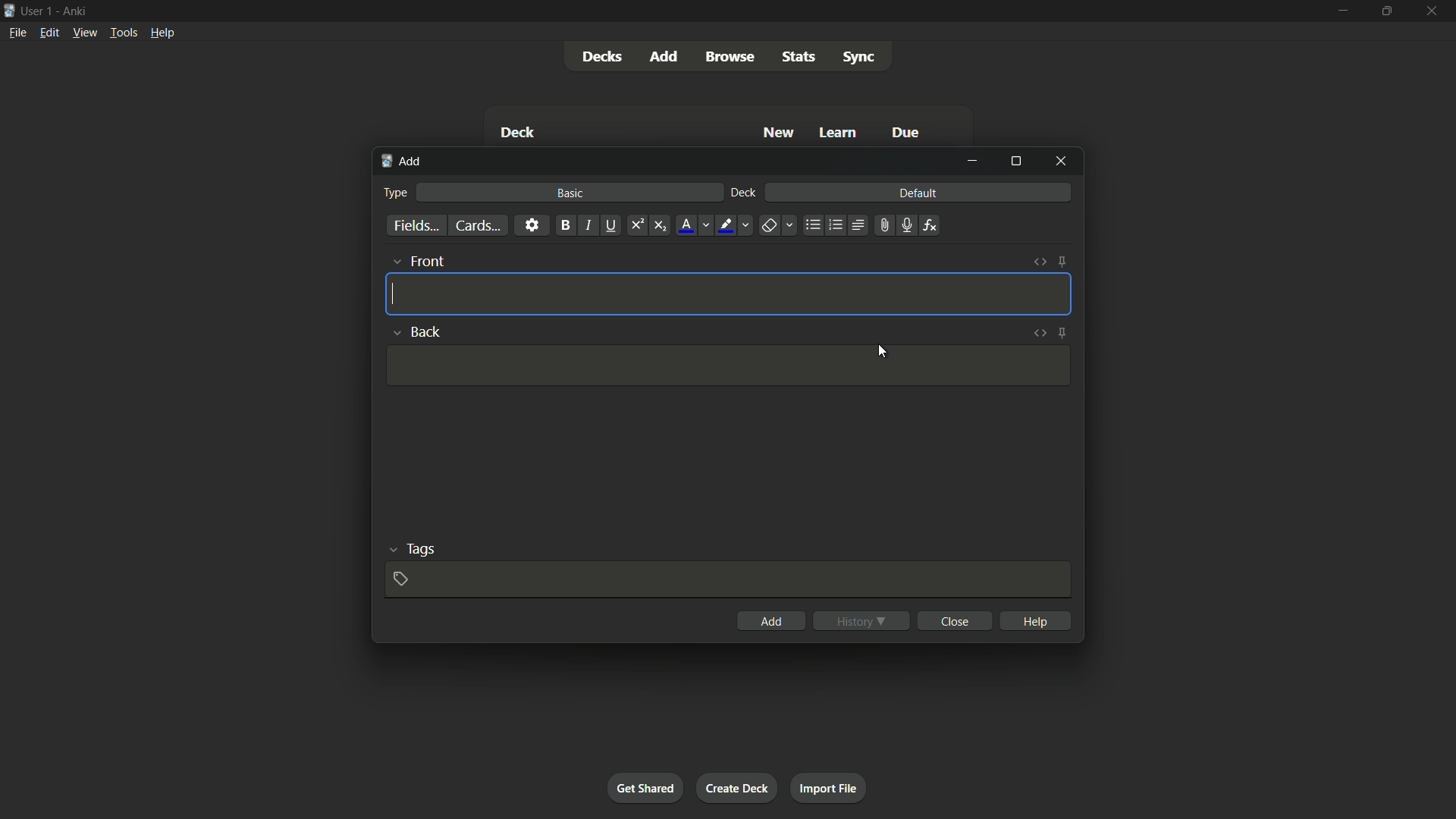  I want to click on underline, so click(610, 224).